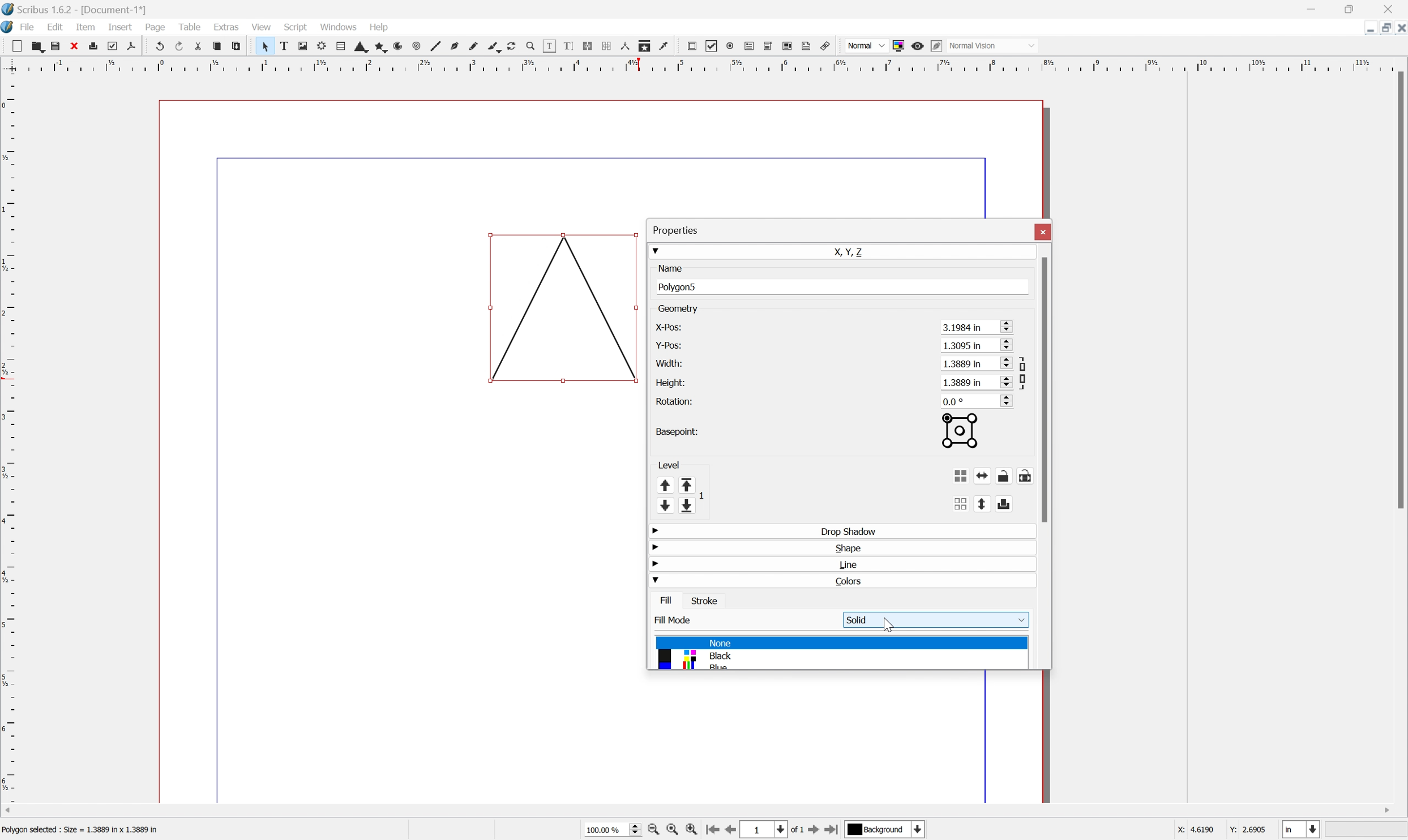 Image resolution: width=1408 pixels, height=840 pixels. What do you see at coordinates (1388, 10) in the screenshot?
I see `Close` at bounding box center [1388, 10].